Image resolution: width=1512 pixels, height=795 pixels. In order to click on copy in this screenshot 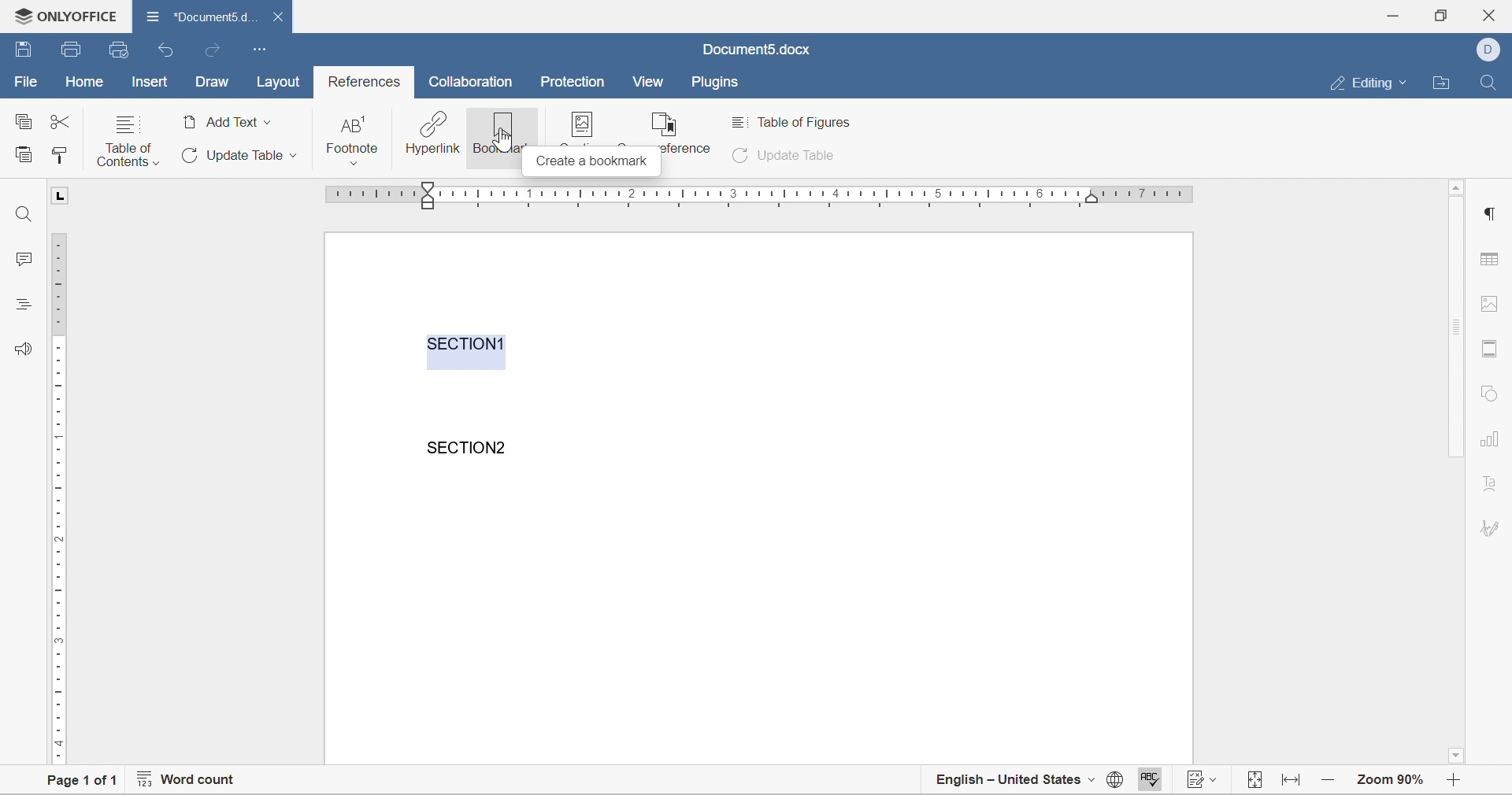, I will do `click(22, 120)`.